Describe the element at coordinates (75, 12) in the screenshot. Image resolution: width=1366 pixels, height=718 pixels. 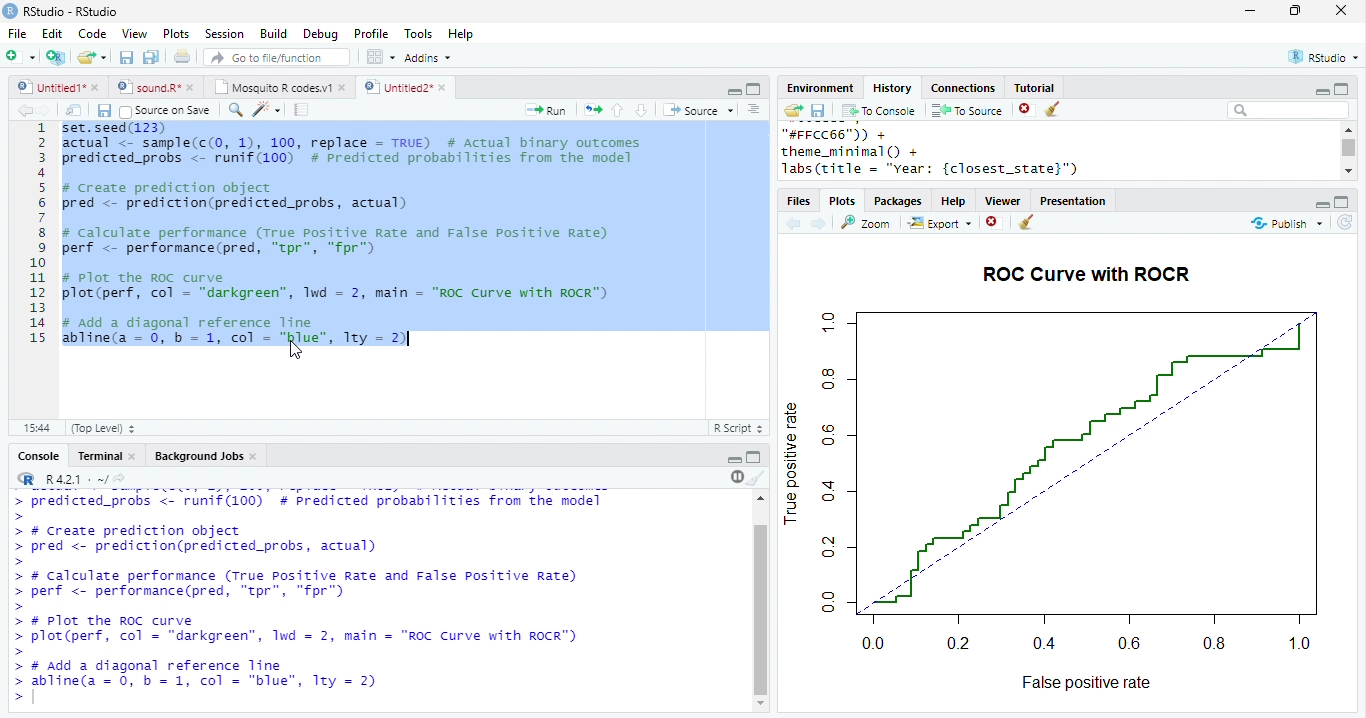
I see `RStudio-RStudio` at that location.